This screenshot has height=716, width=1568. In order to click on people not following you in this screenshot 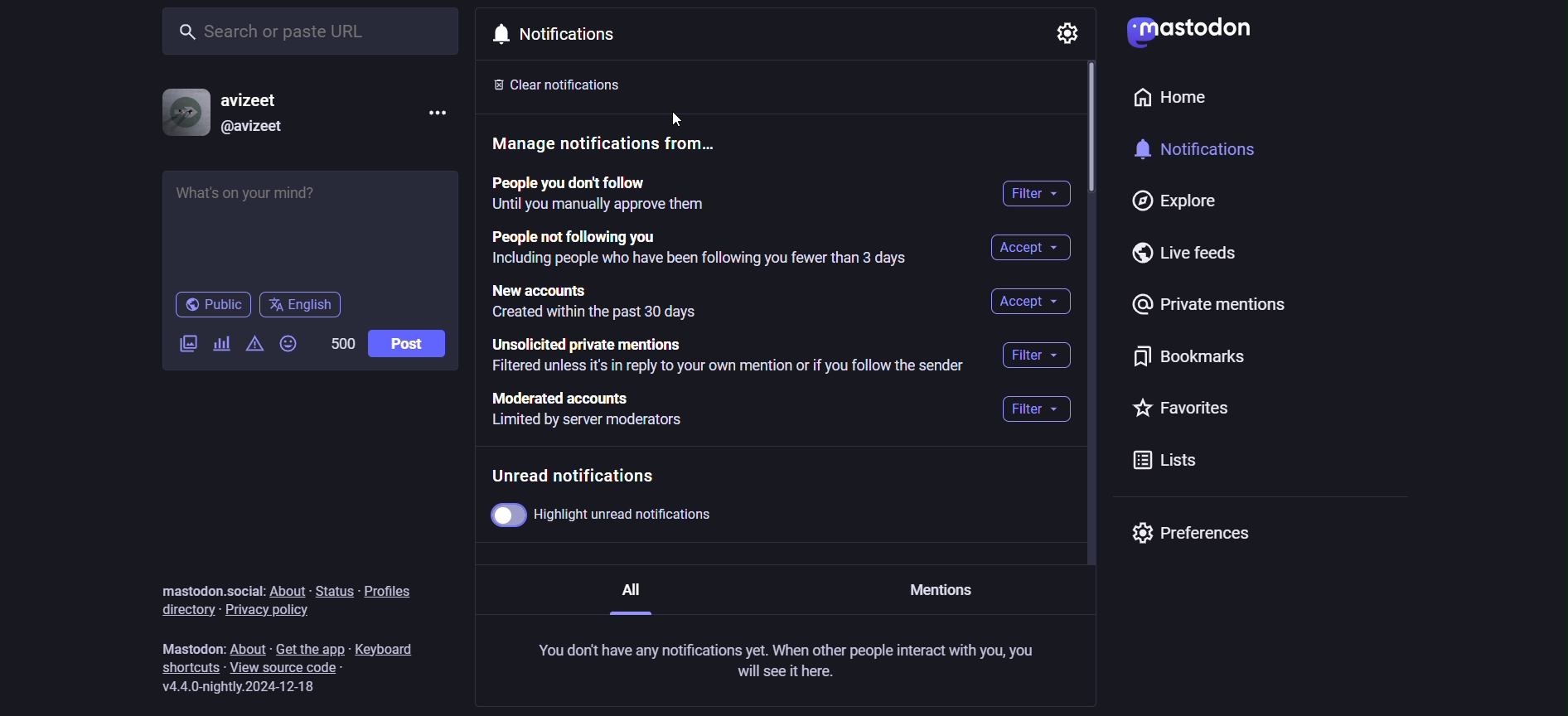, I will do `click(697, 249)`.